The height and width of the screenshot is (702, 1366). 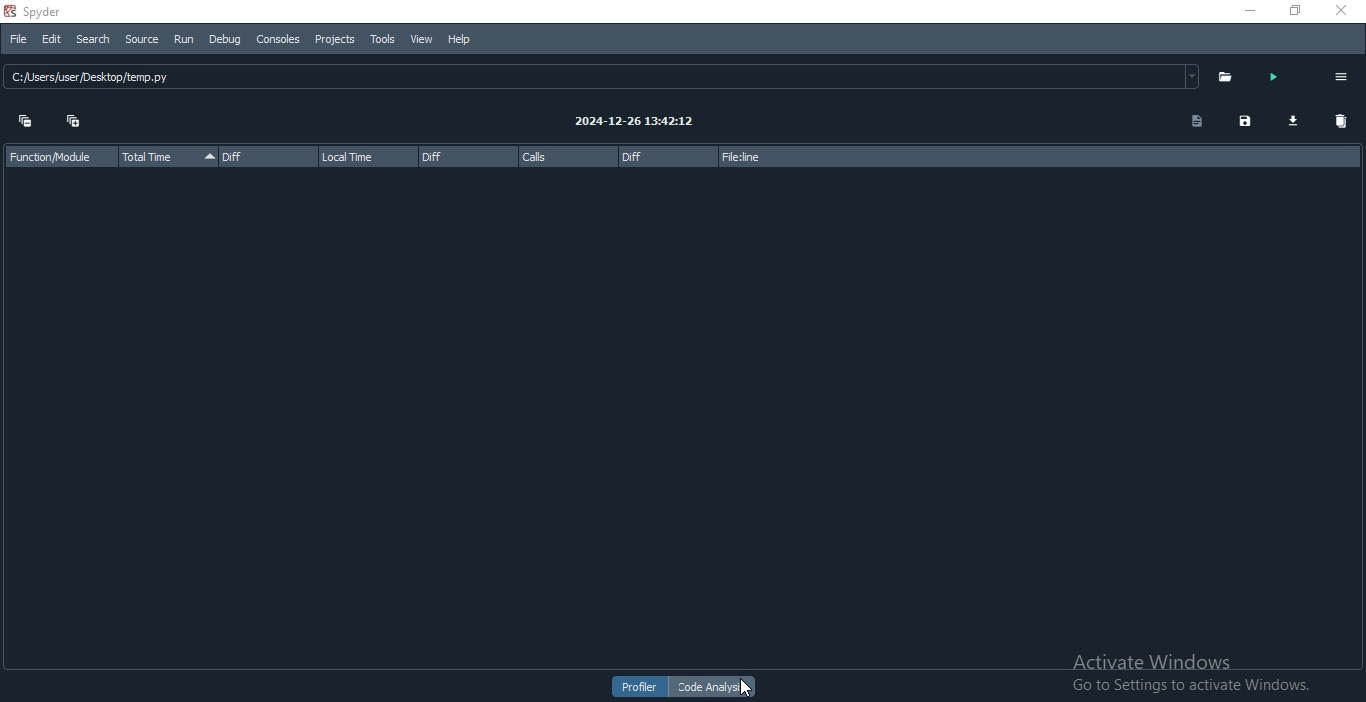 I want to click on Tools, so click(x=382, y=39).